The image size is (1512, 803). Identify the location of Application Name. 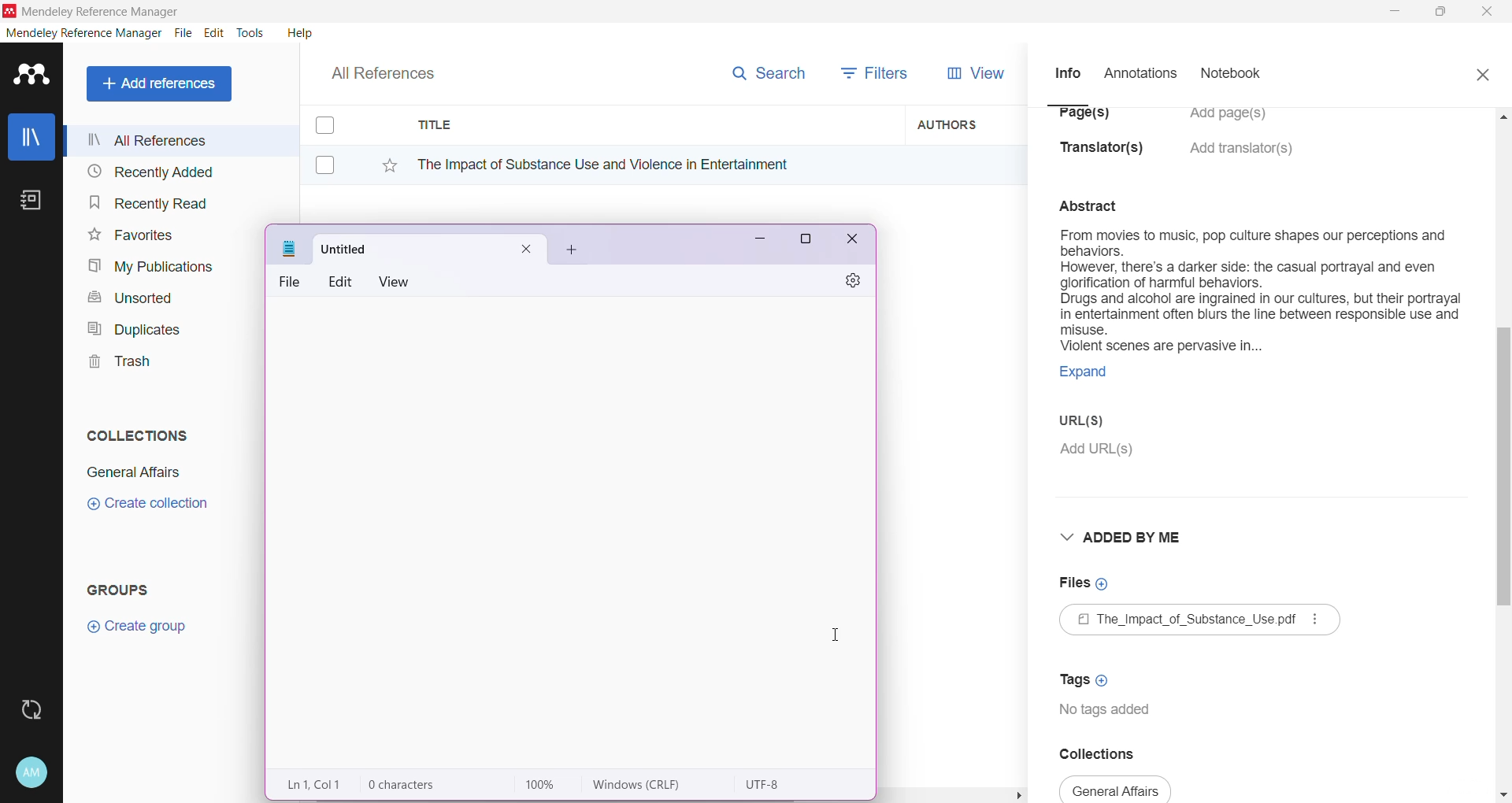
(94, 11).